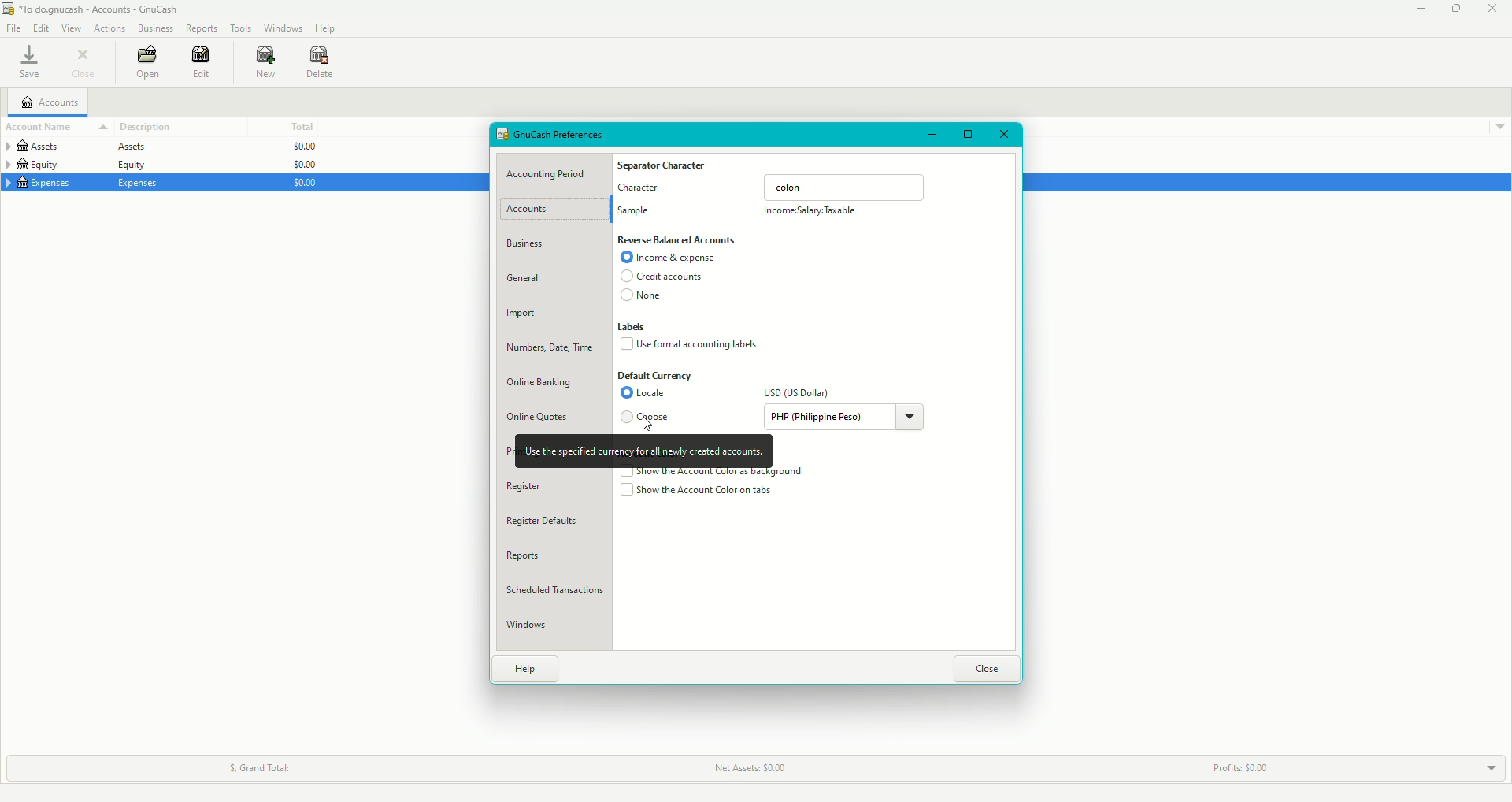 The height and width of the screenshot is (802, 1512). I want to click on Choose, so click(651, 414).